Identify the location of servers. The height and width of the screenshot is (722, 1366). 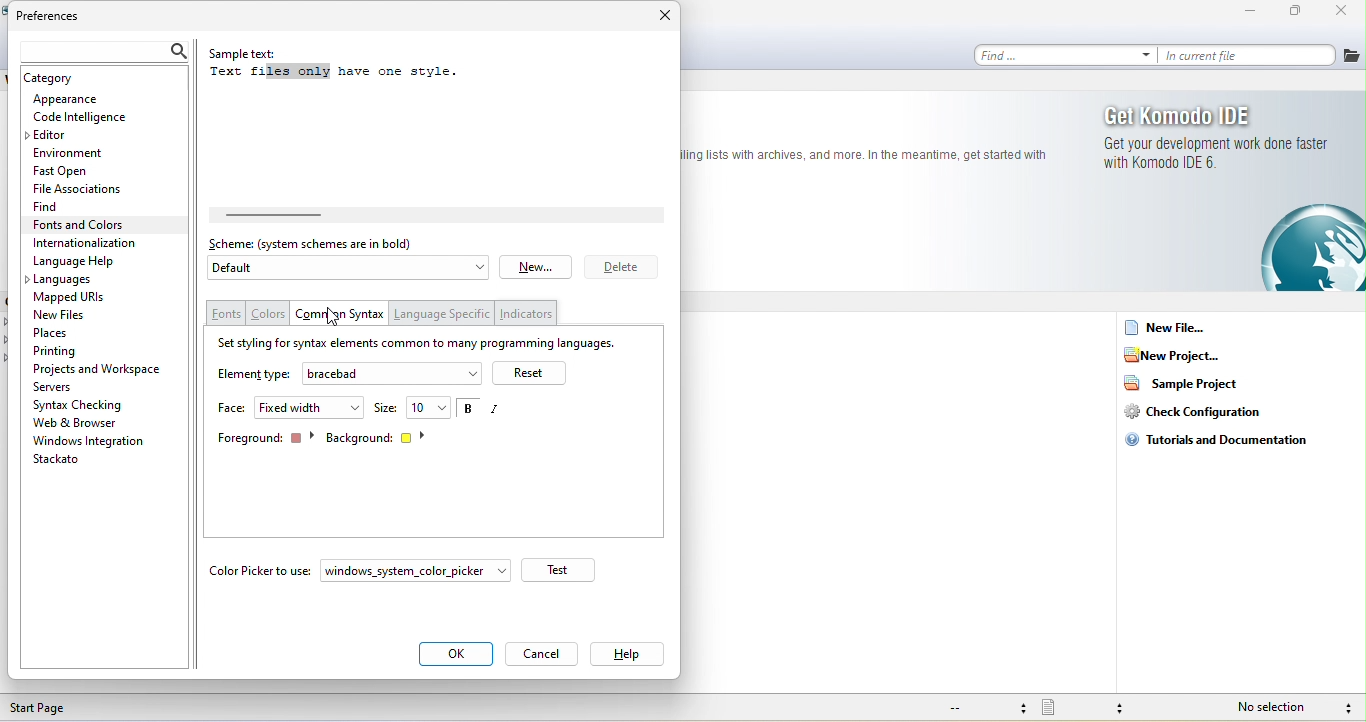
(66, 387).